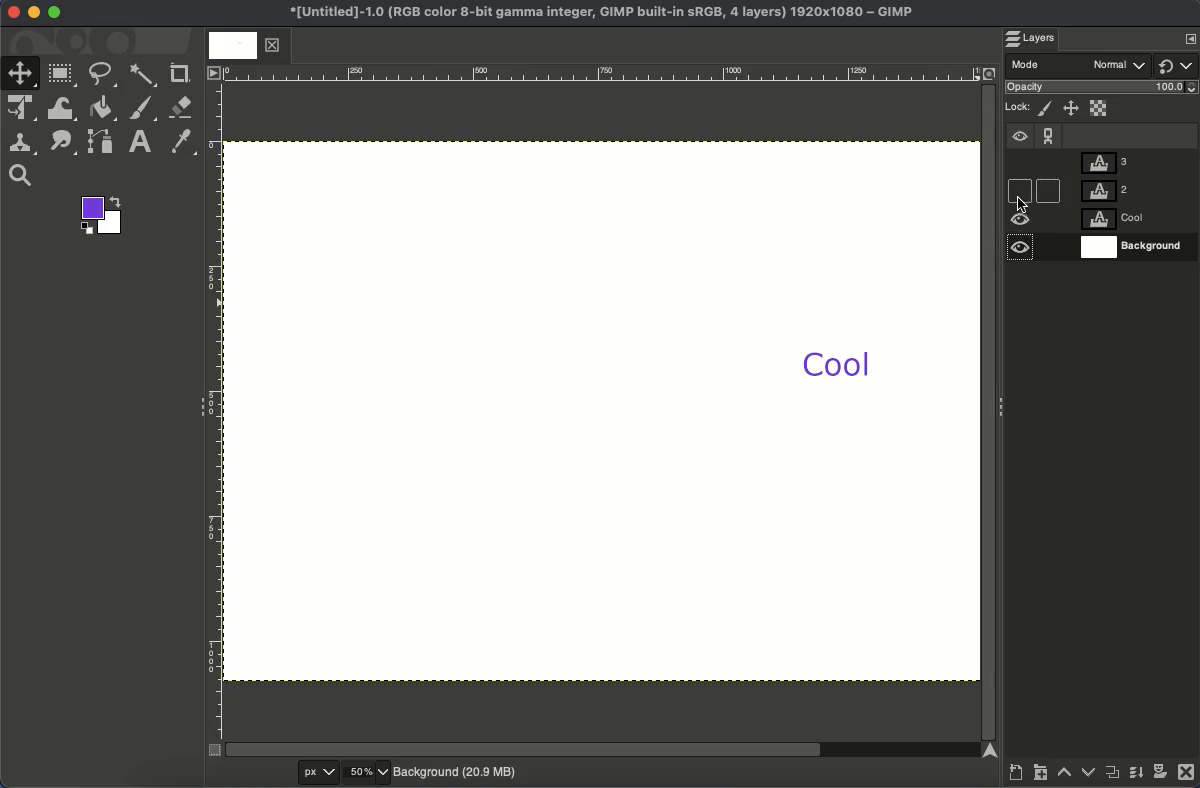 This screenshot has width=1200, height=788. I want to click on Clone, so click(25, 143).